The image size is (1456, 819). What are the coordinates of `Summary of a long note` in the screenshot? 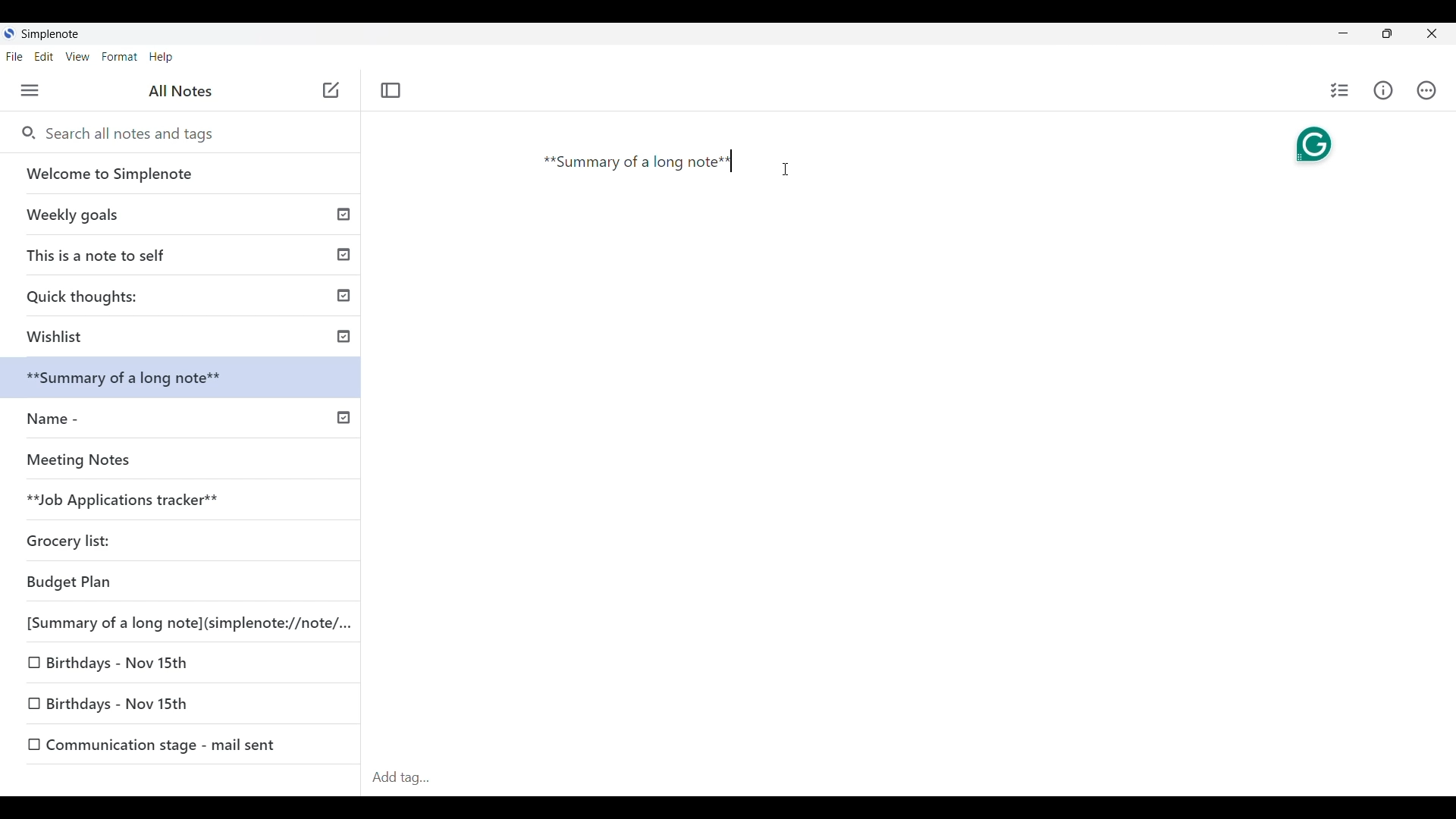 It's located at (180, 375).